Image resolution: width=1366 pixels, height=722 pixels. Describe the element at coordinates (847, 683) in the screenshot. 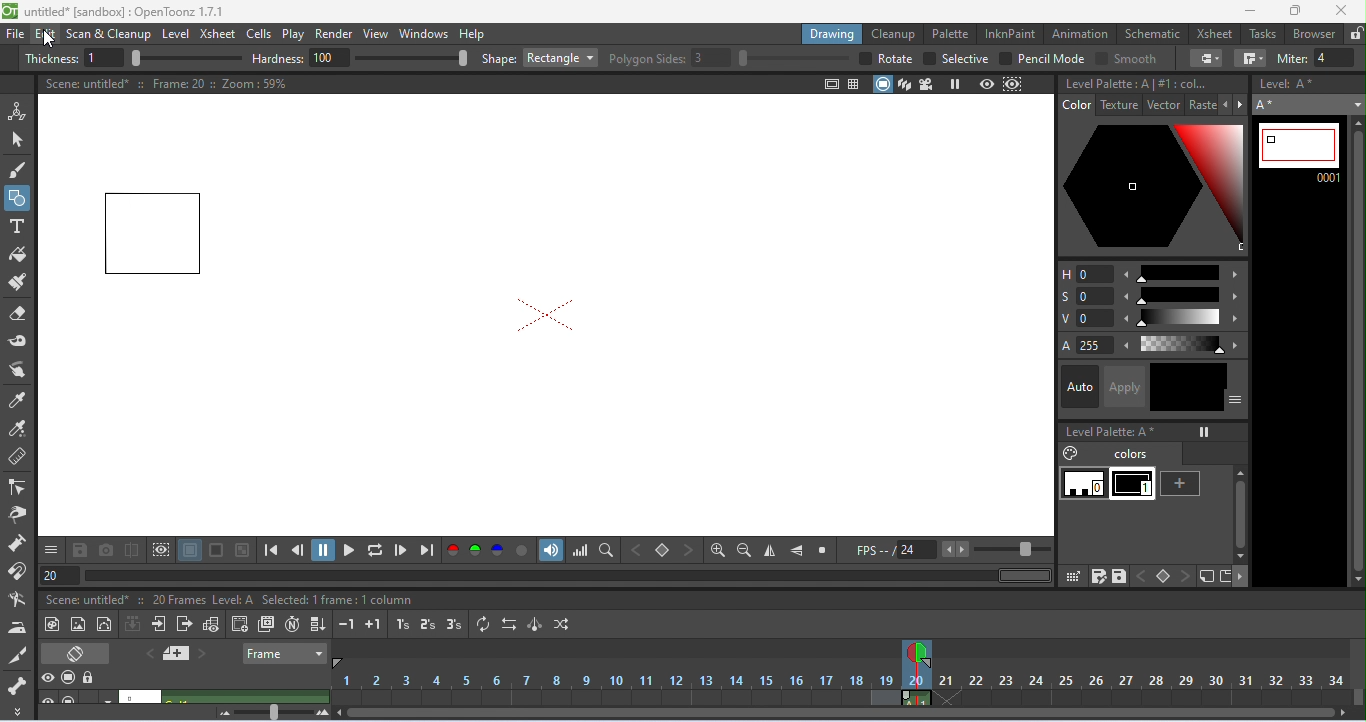

I see `frames` at that location.